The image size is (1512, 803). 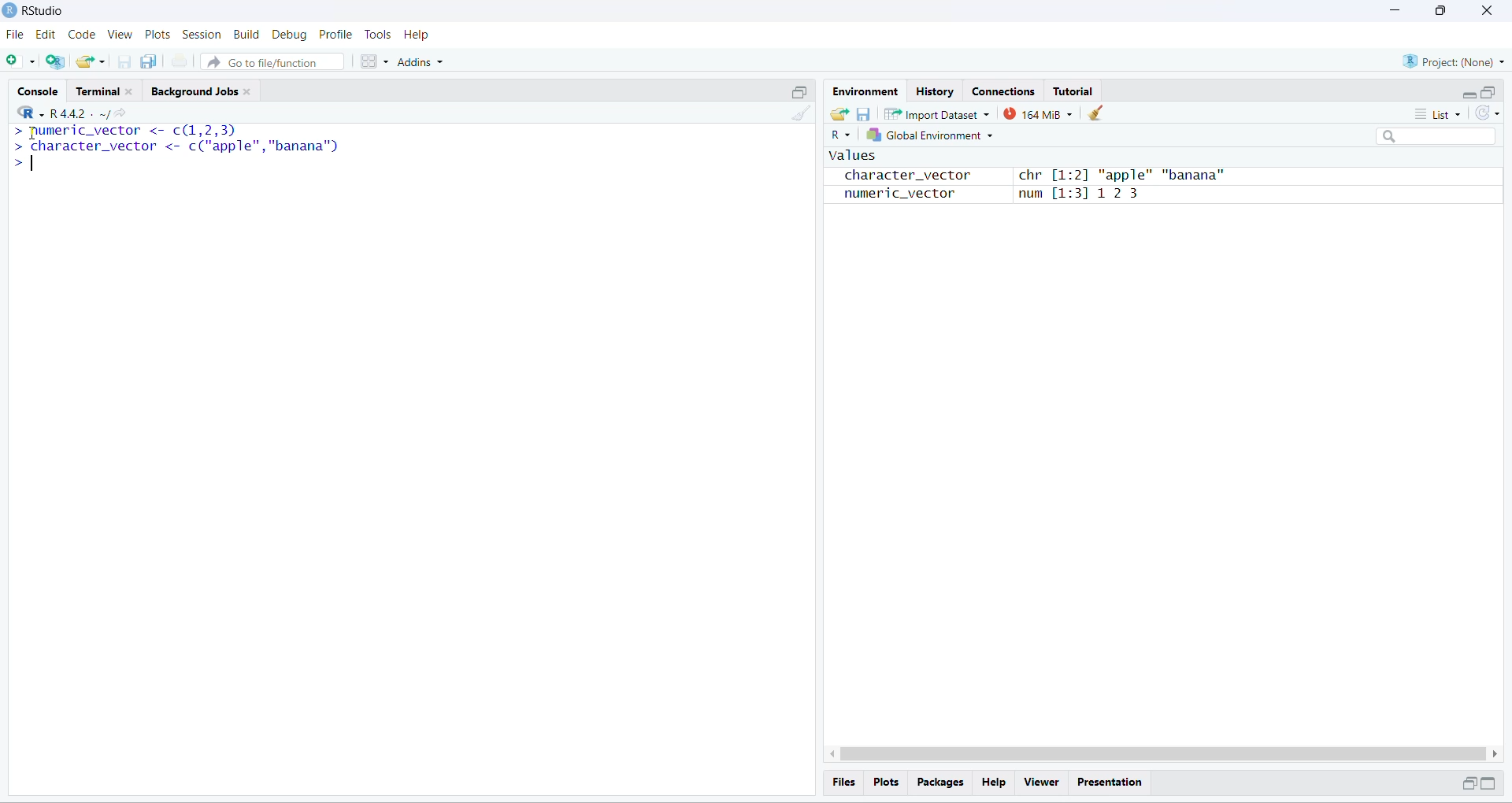 I want to click on "R442, so click(x=51, y=113).